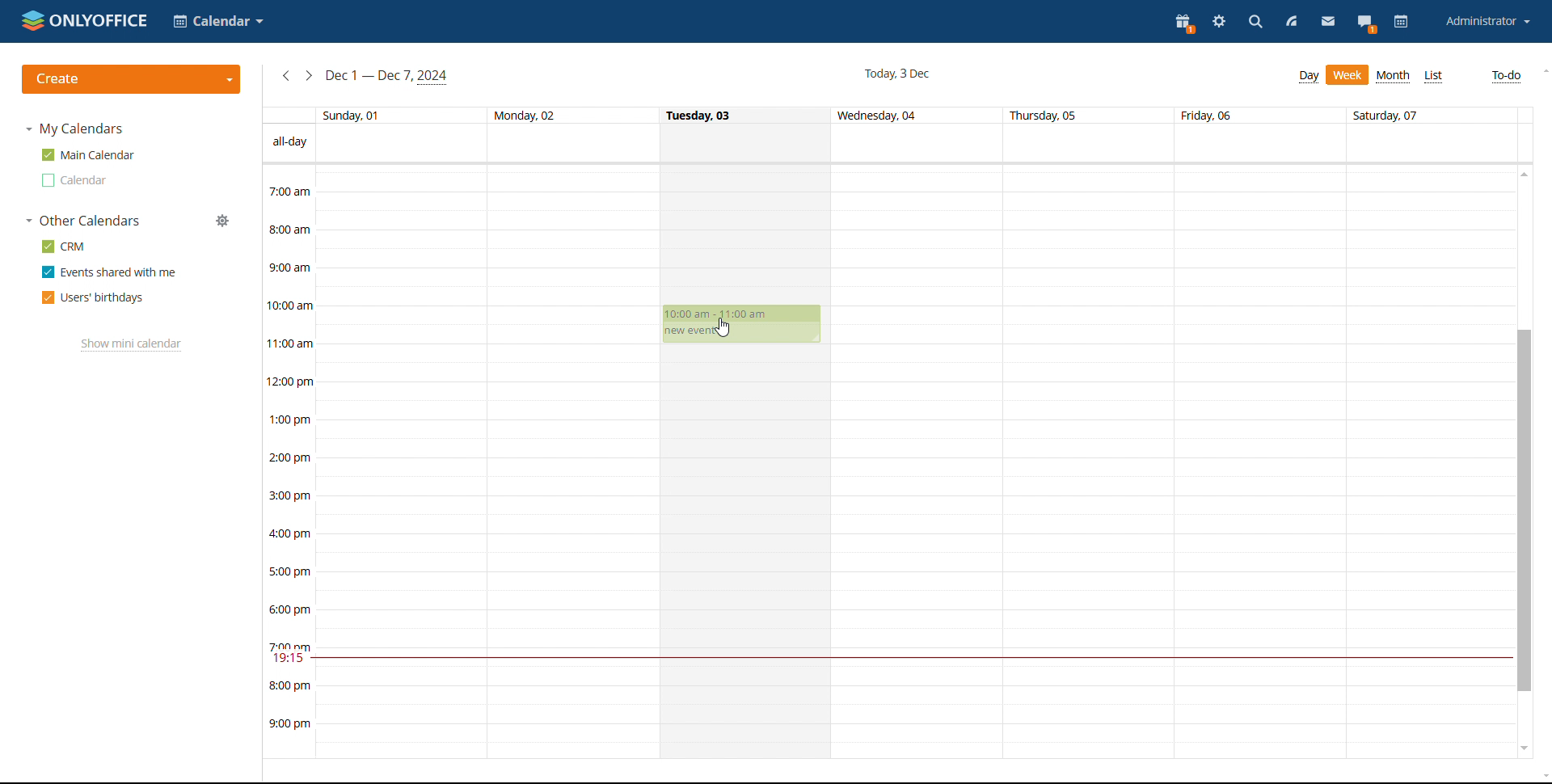 Image resolution: width=1552 pixels, height=784 pixels. What do you see at coordinates (132, 79) in the screenshot?
I see `create` at bounding box center [132, 79].